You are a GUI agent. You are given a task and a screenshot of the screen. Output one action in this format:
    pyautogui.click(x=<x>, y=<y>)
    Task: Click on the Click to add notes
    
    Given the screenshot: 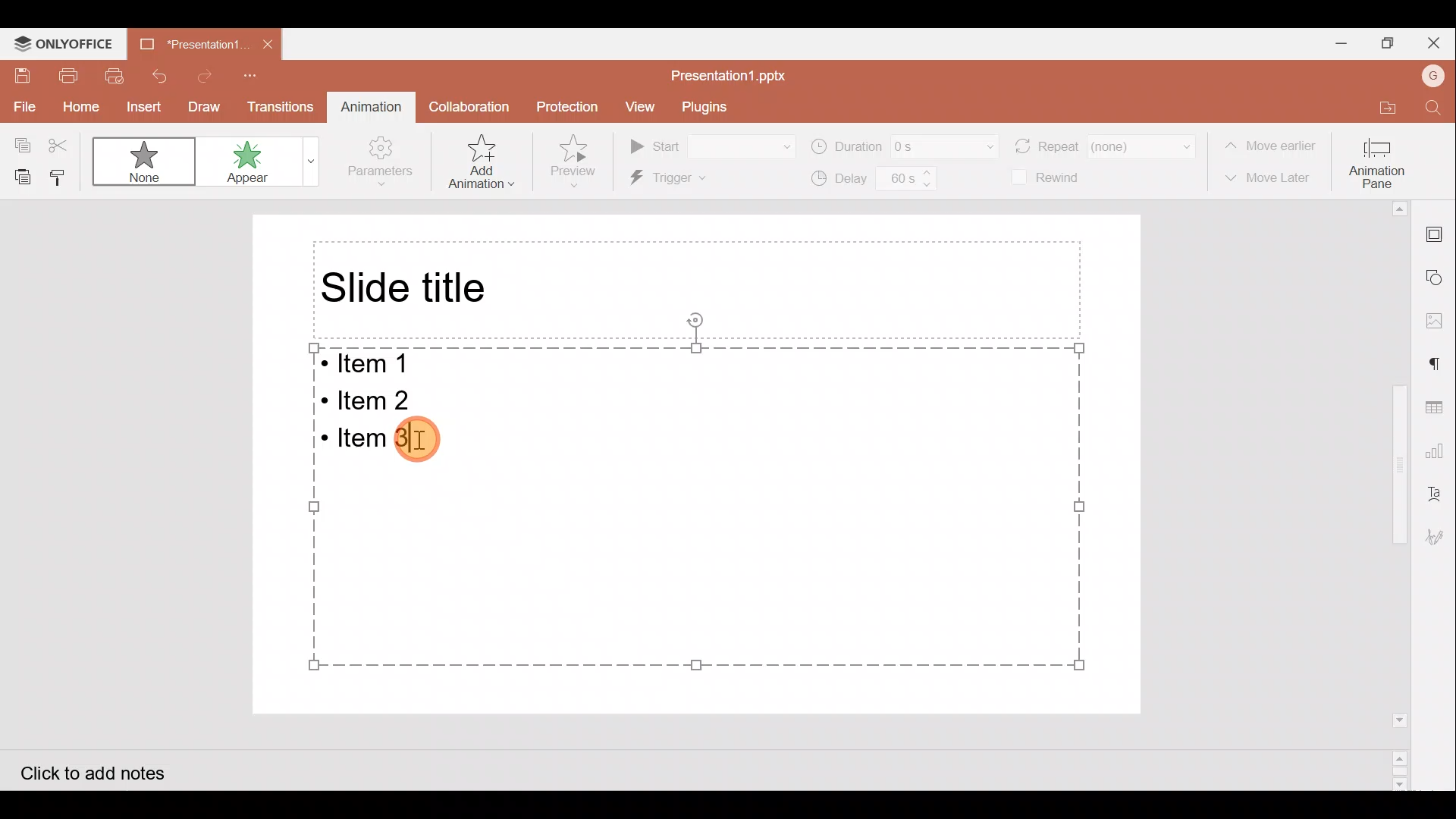 What is the action you would take?
    pyautogui.click(x=109, y=770)
    